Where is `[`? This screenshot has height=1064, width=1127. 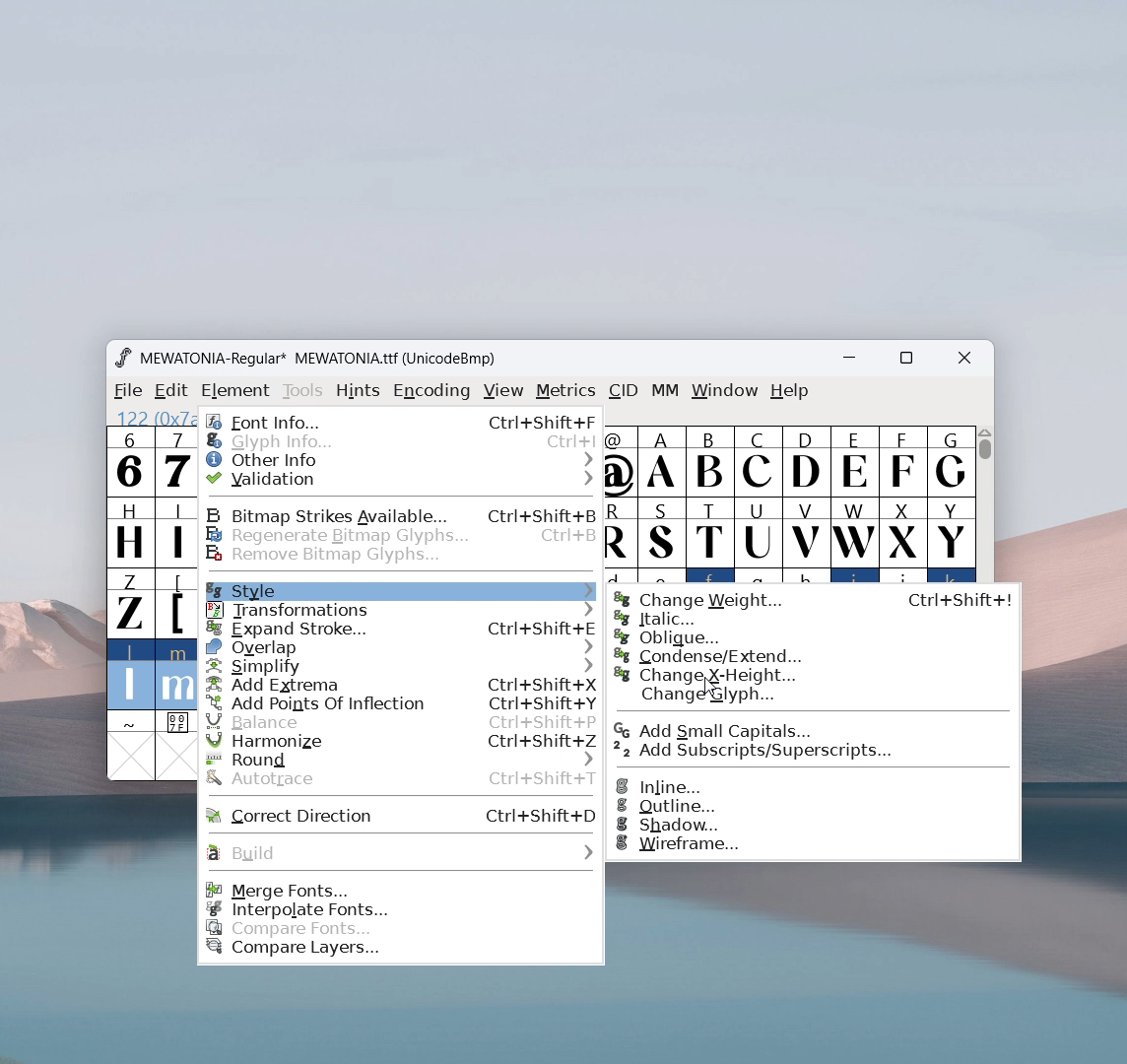
[ is located at coordinates (175, 604).